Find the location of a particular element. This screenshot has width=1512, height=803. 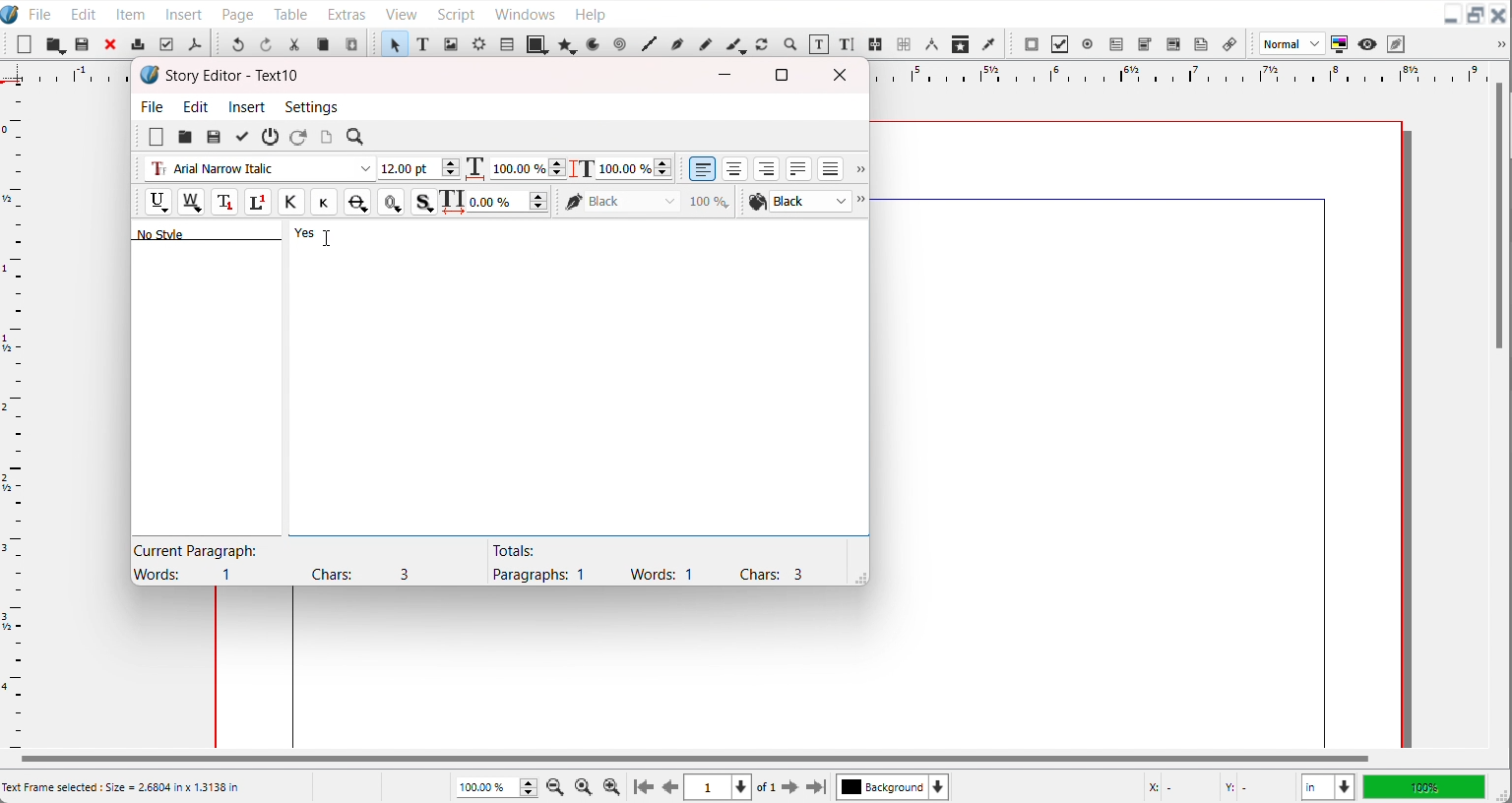

Polygon is located at coordinates (568, 44).